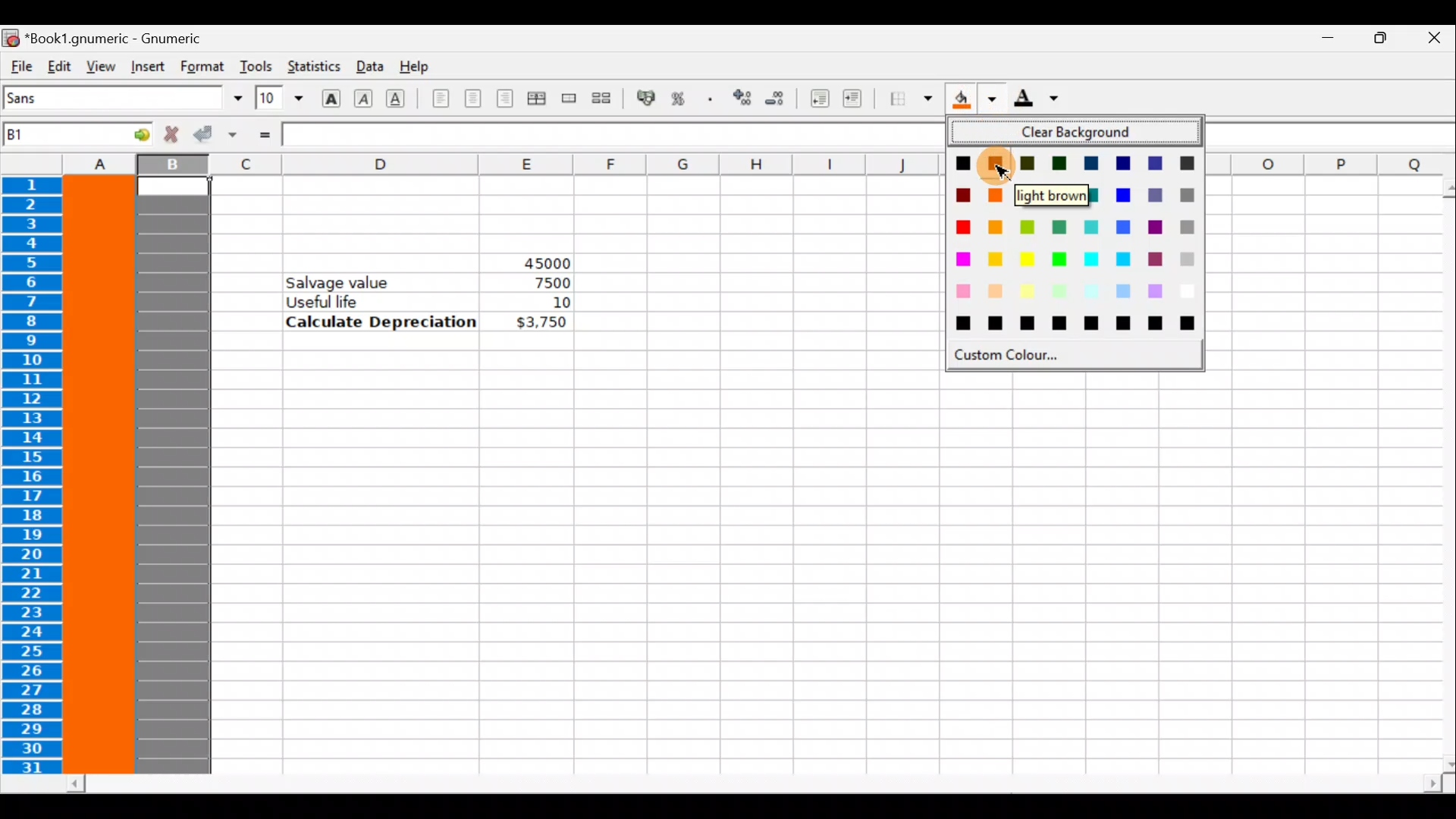 The height and width of the screenshot is (819, 1456). What do you see at coordinates (215, 135) in the screenshot?
I see `Accept change` at bounding box center [215, 135].